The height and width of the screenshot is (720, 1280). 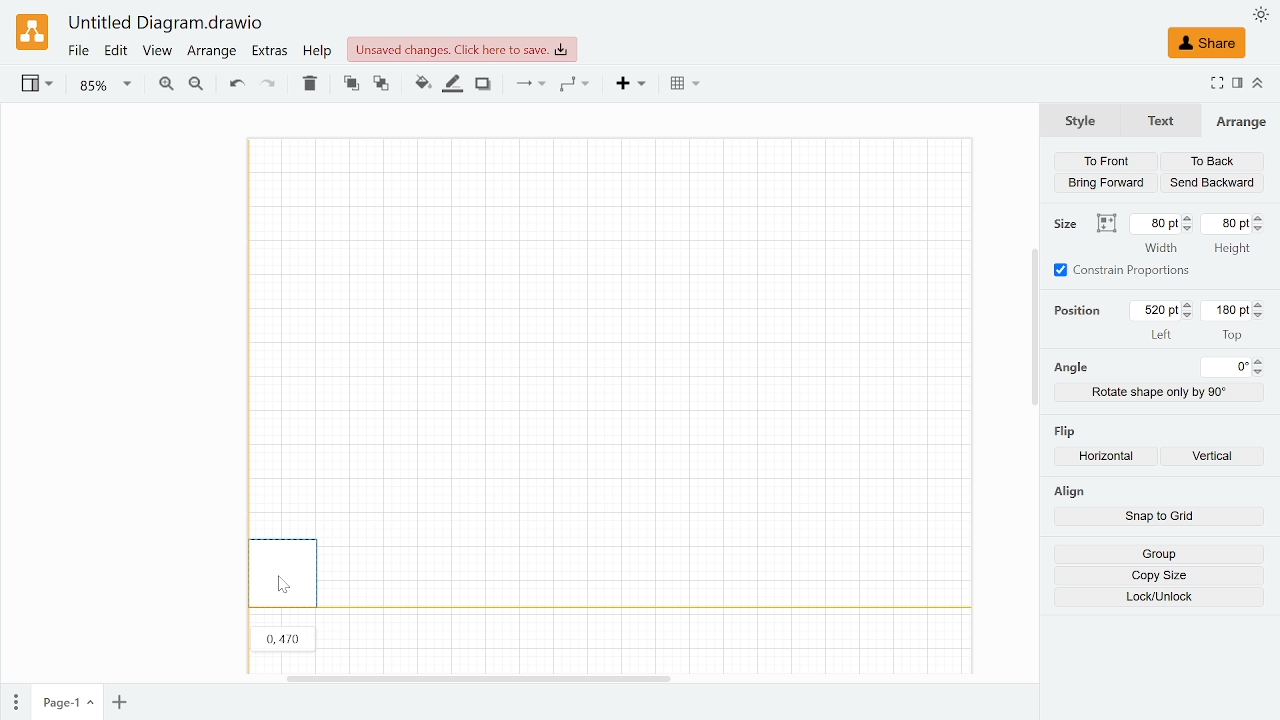 I want to click on Current top, so click(x=1226, y=310).